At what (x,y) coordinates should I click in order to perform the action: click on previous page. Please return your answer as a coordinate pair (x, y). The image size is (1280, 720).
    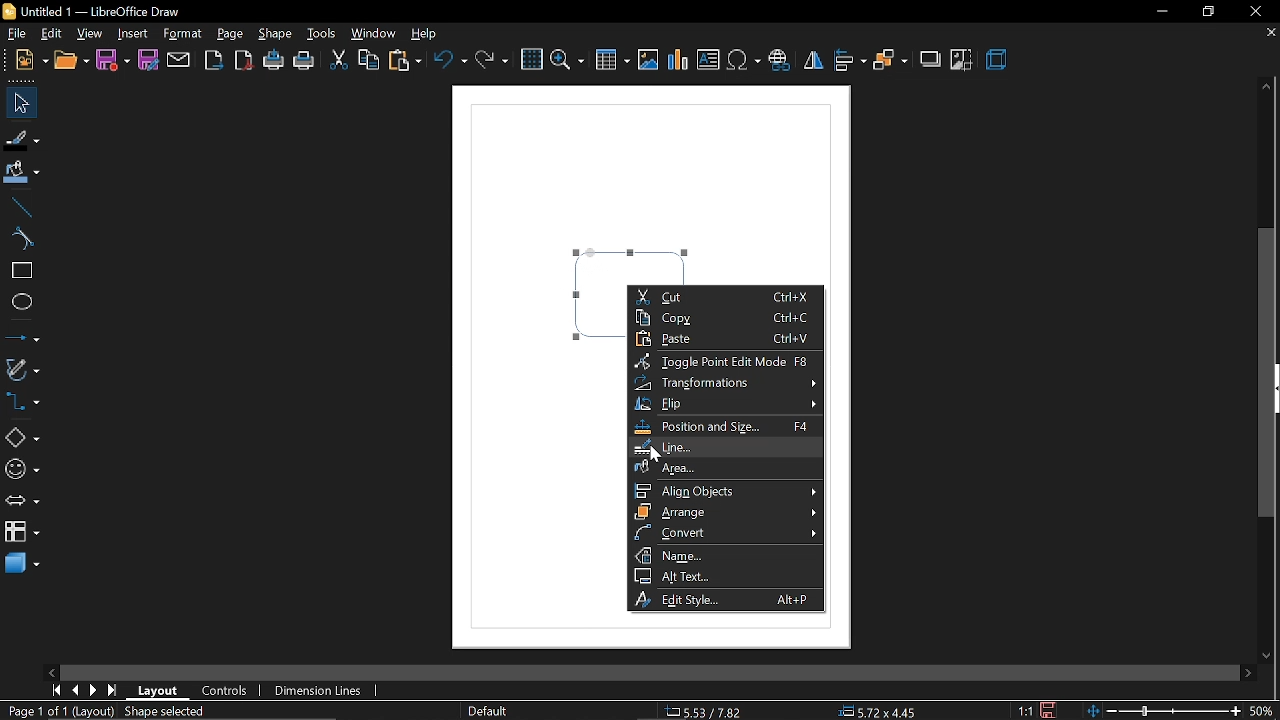
    Looking at the image, I should click on (75, 690).